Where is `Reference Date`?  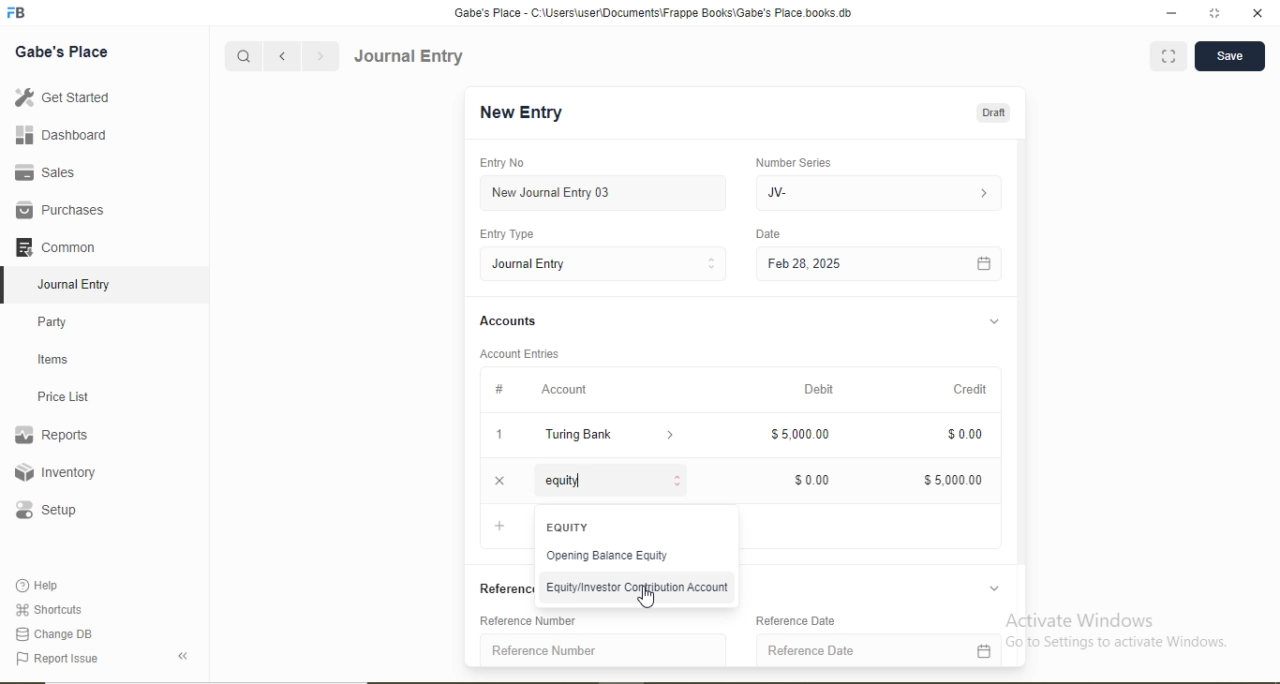 Reference Date is located at coordinates (812, 650).